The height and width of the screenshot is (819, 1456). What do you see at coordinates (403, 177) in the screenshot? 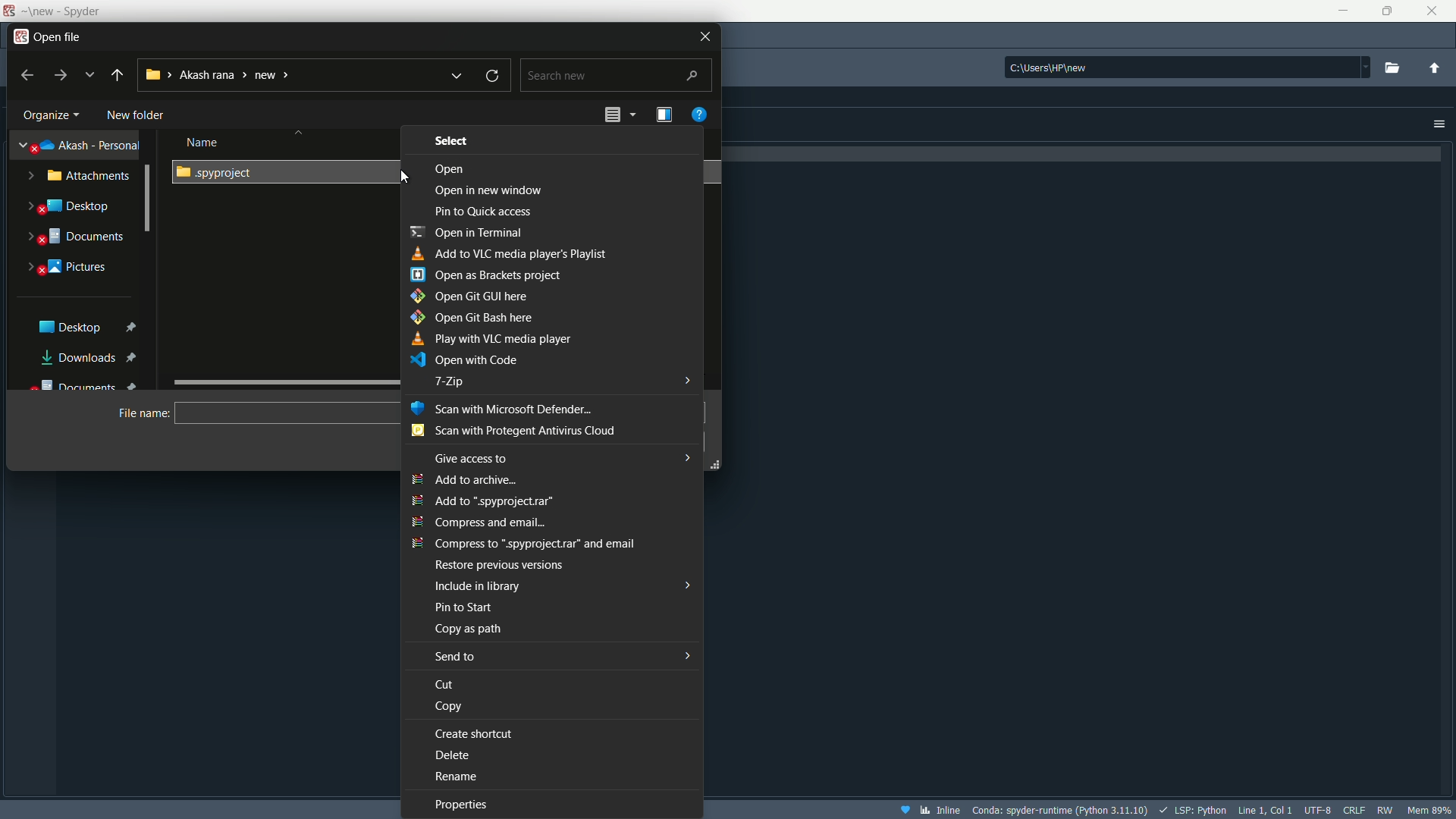
I see `cursor` at bounding box center [403, 177].